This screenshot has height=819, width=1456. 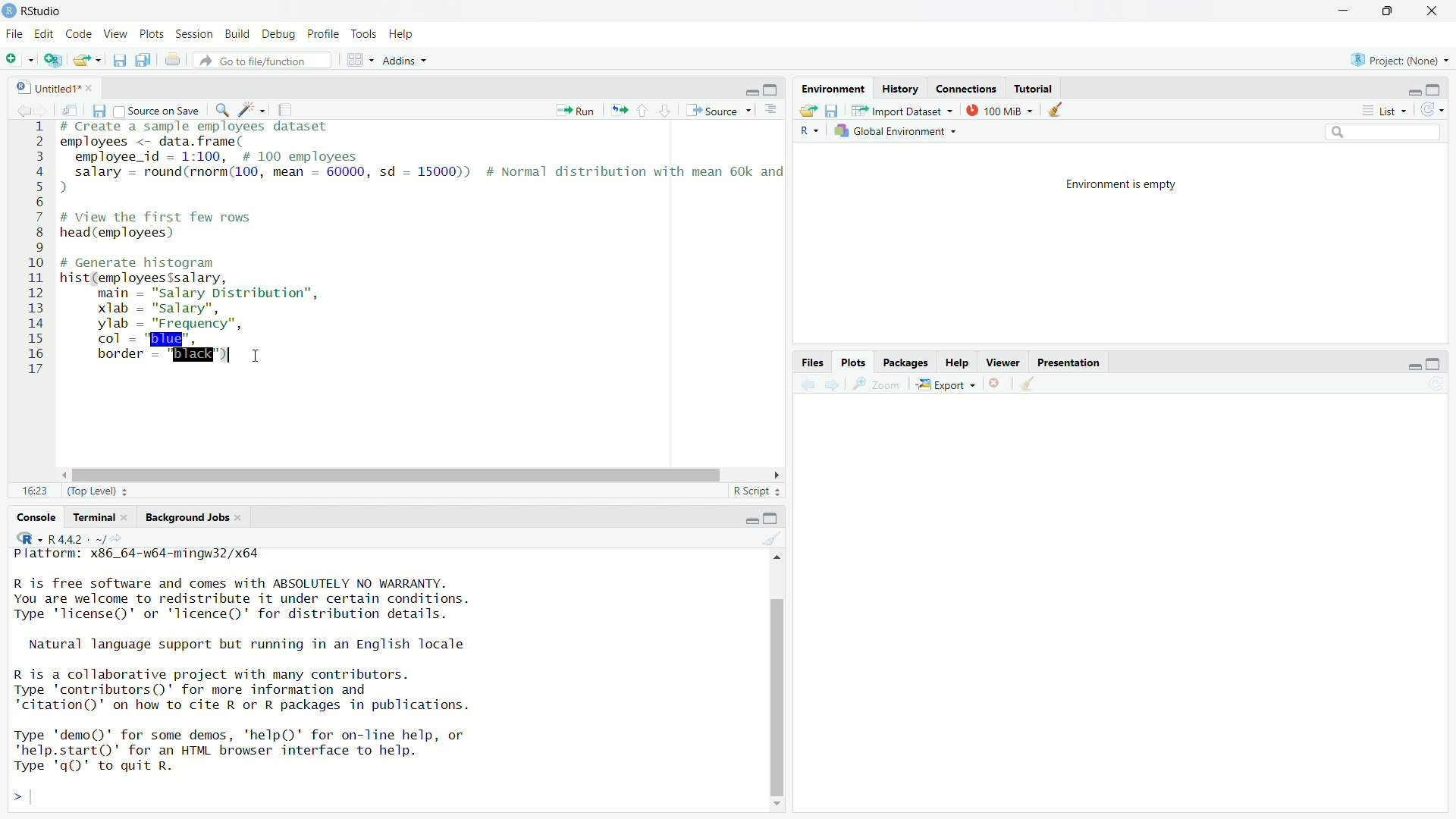 I want to click on Packages, so click(x=908, y=362).